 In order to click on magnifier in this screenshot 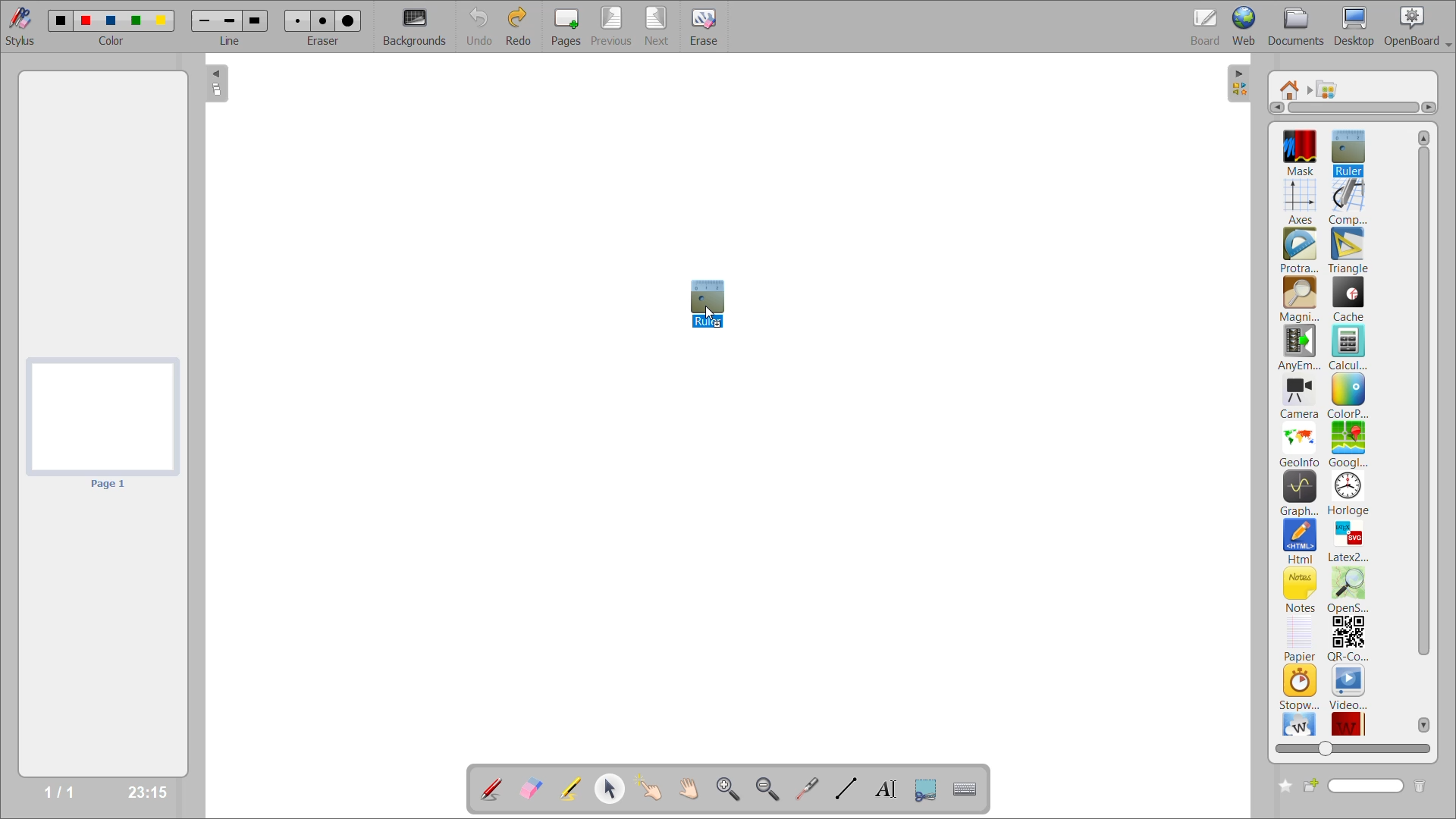, I will do `click(1299, 300)`.